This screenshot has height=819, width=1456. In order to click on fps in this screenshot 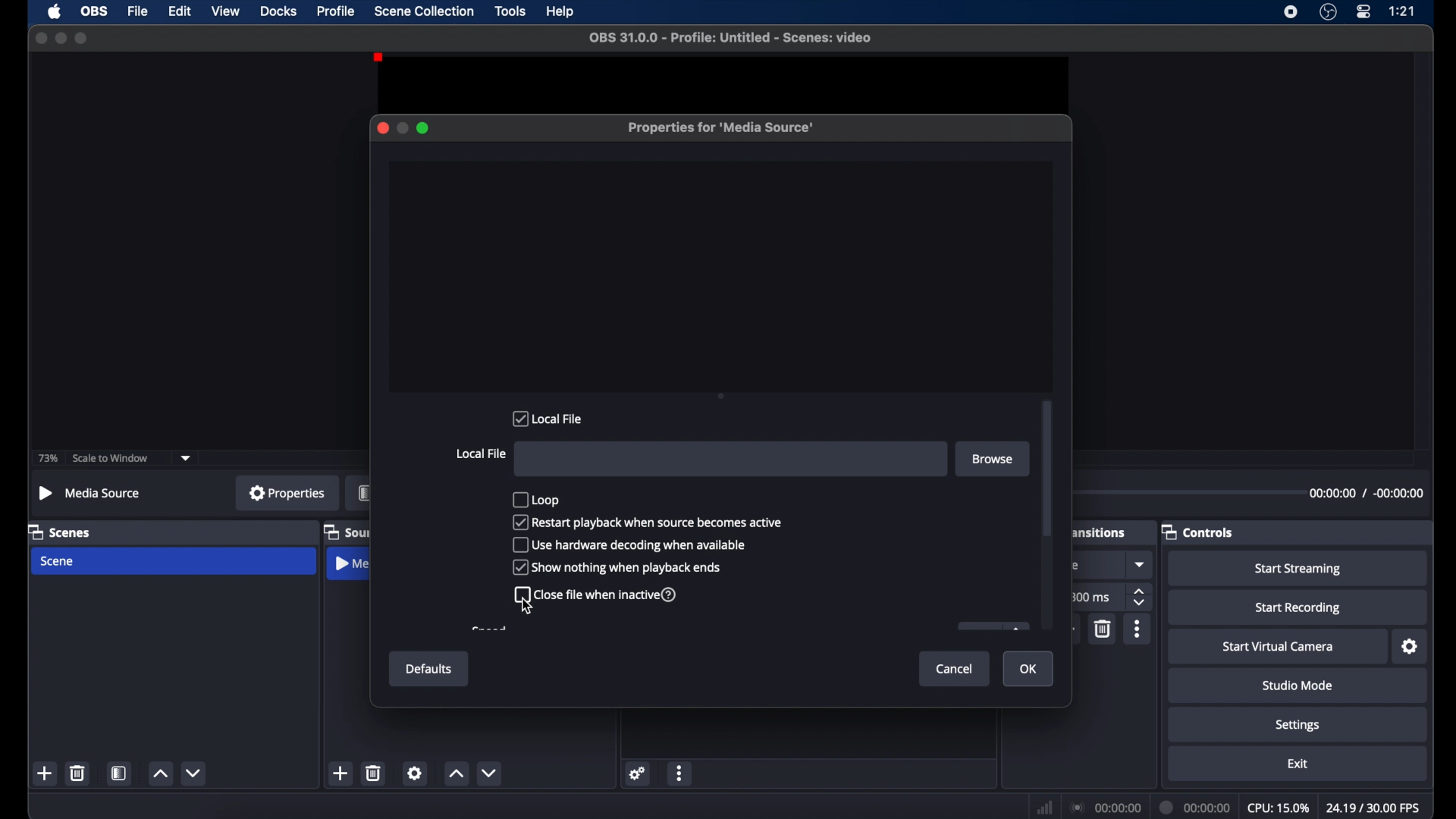, I will do `click(1373, 808)`.